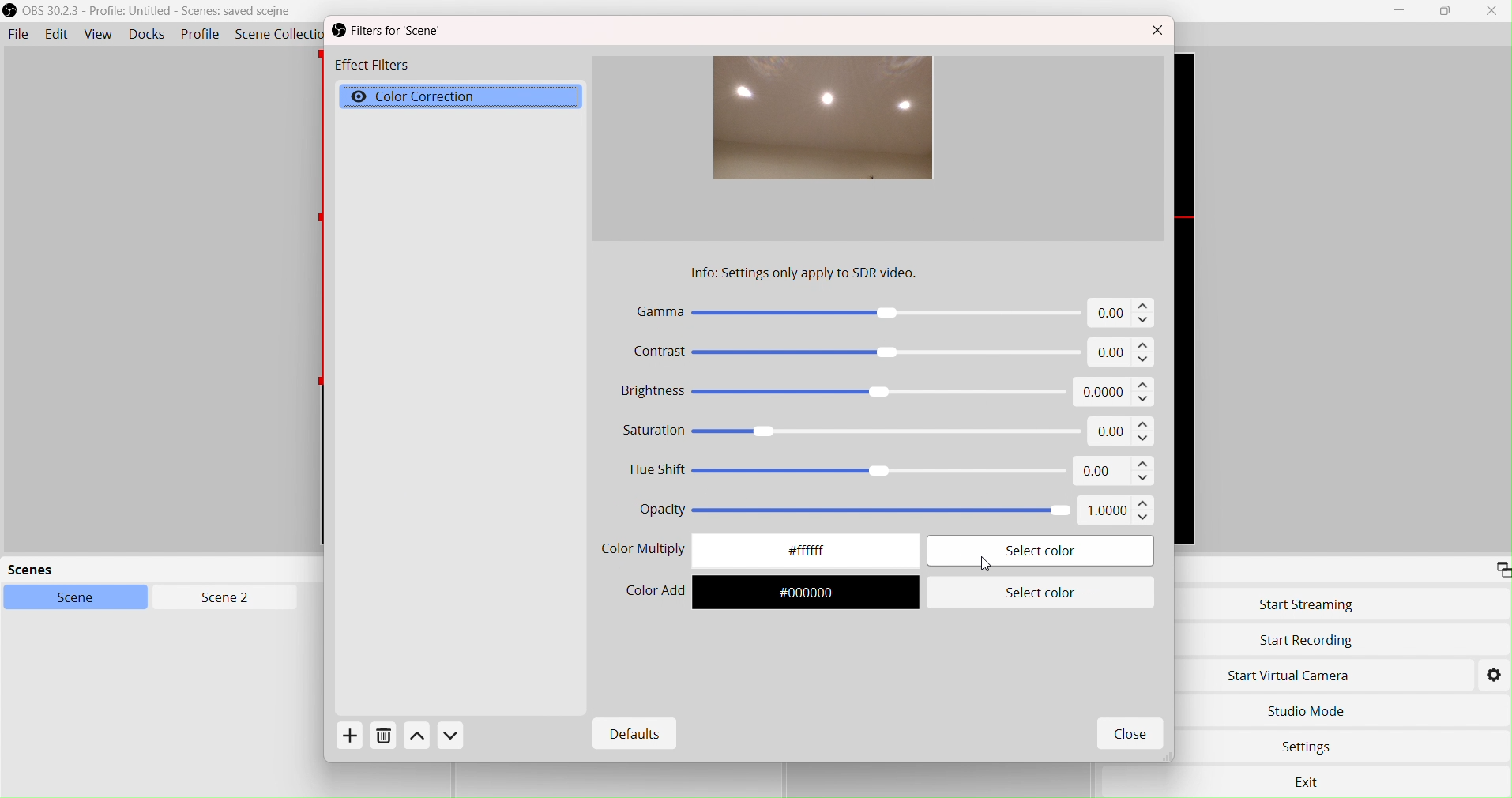 The image size is (1512, 798). Describe the element at coordinates (645, 552) in the screenshot. I see `Color Selector` at that location.